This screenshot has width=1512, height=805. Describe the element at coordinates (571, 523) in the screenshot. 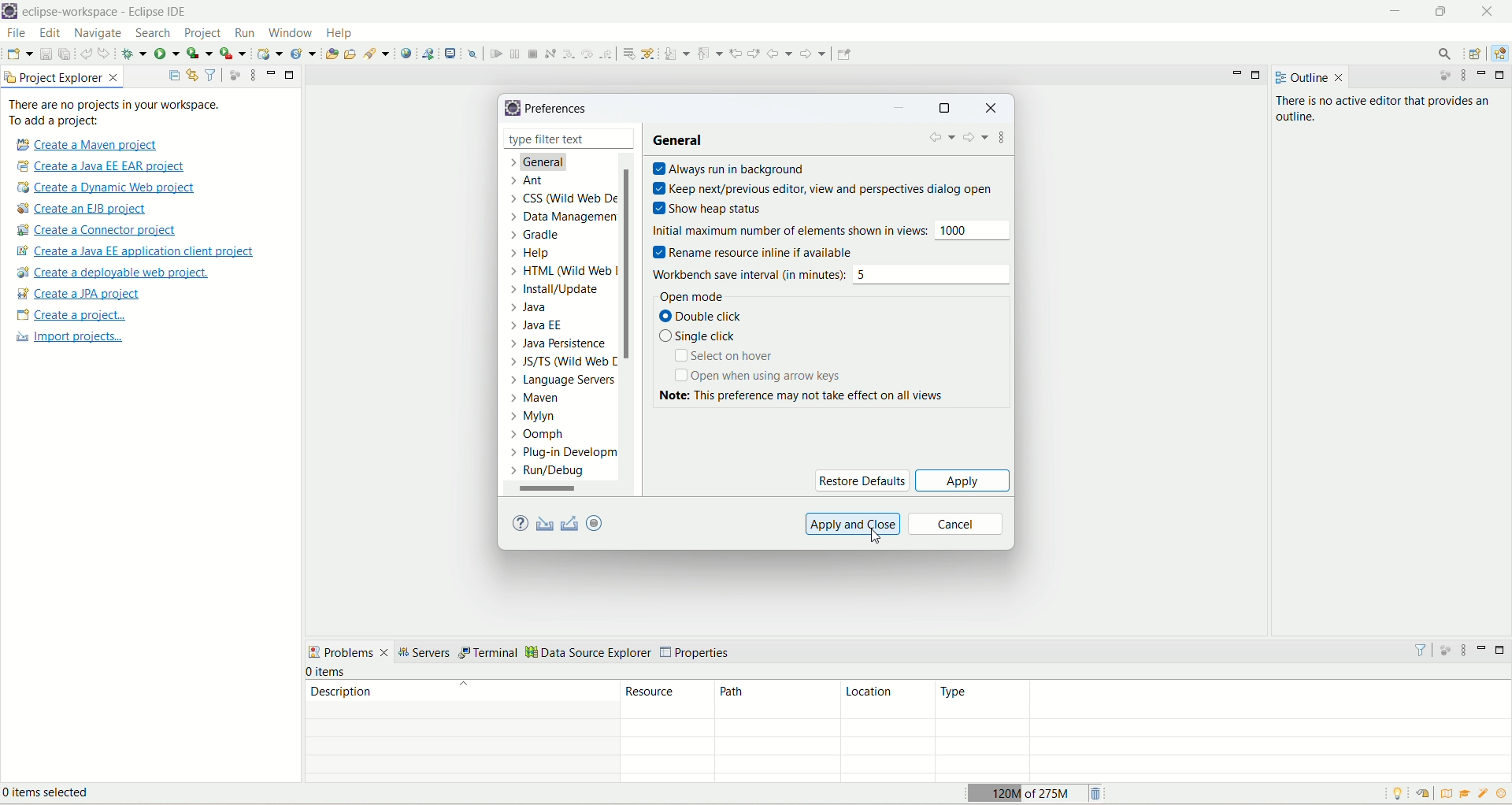

I see `export` at that location.